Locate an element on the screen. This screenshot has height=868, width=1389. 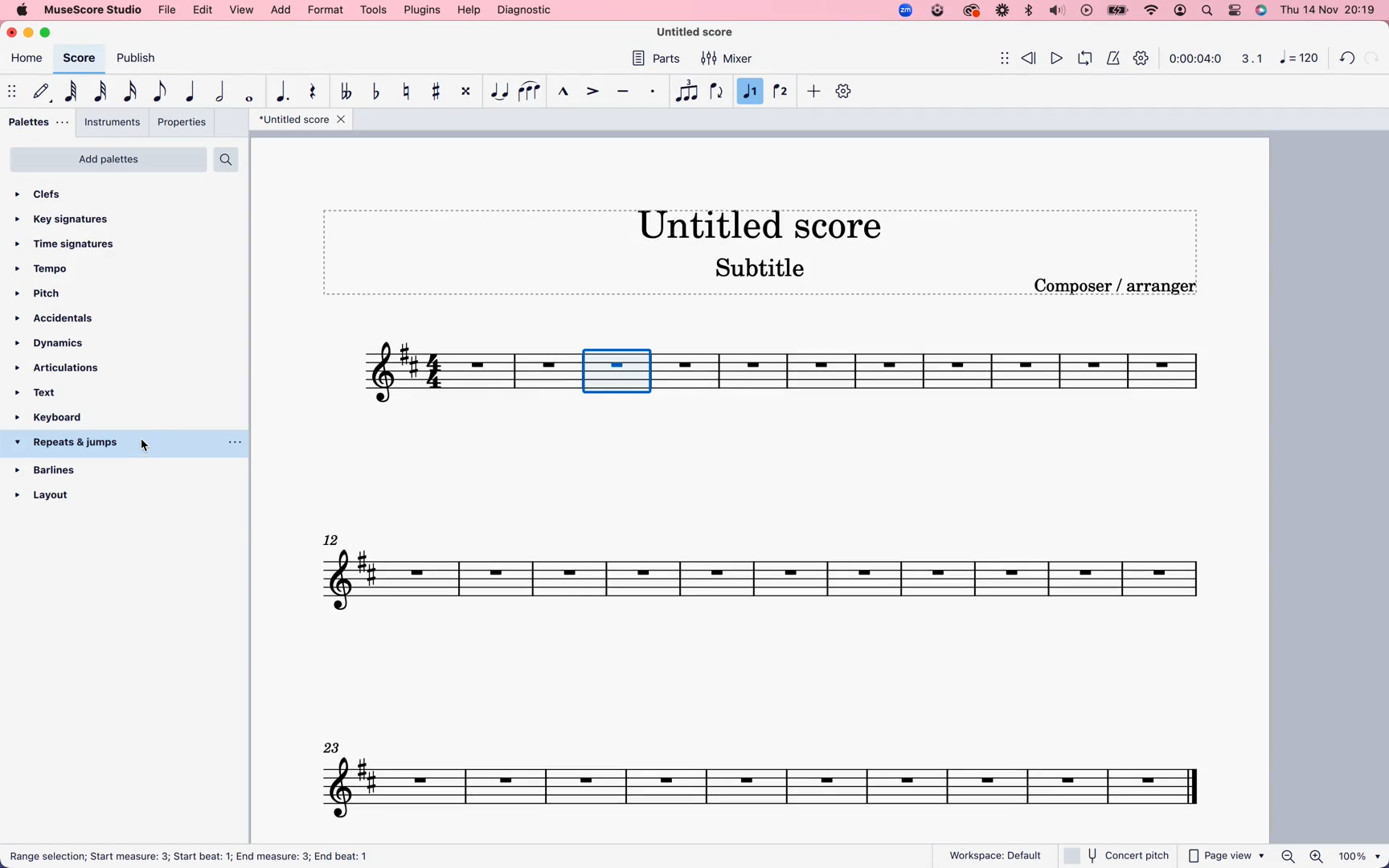
eight note is located at coordinates (160, 92).